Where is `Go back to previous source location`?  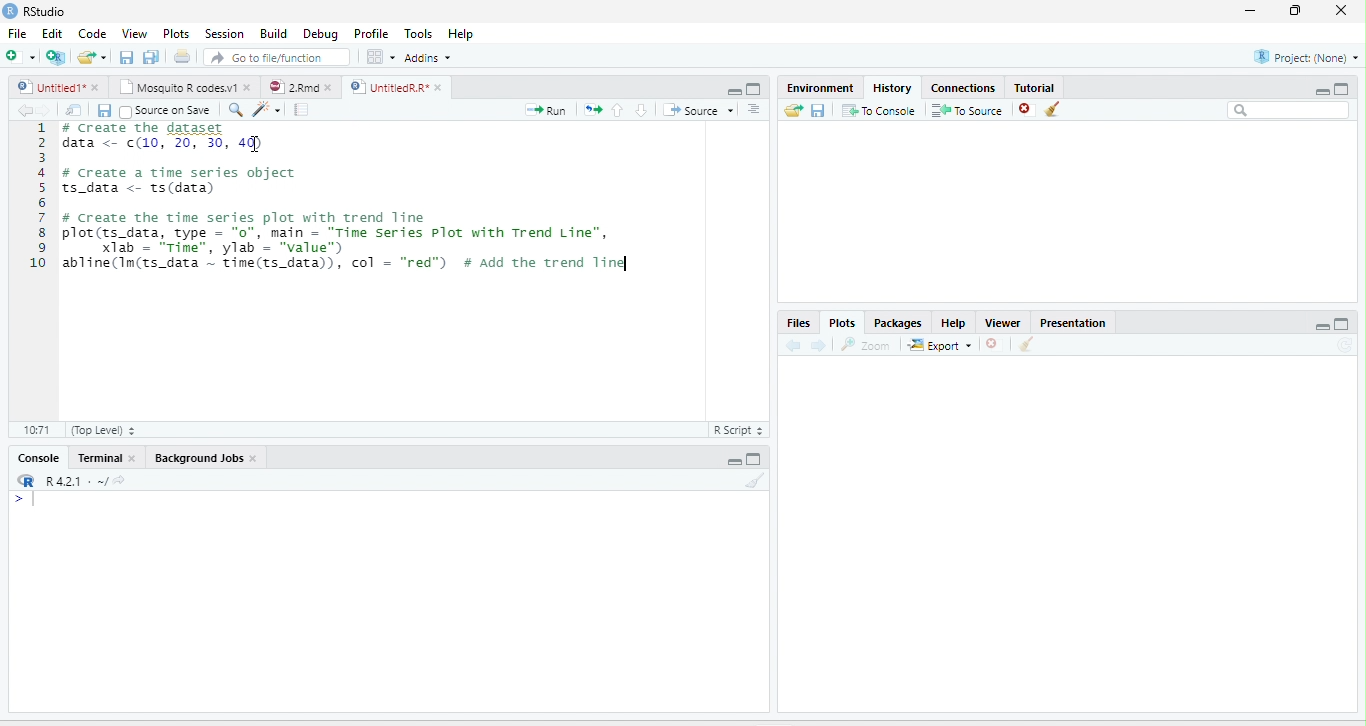
Go back to previous source location is located at coordinates (22, 110).